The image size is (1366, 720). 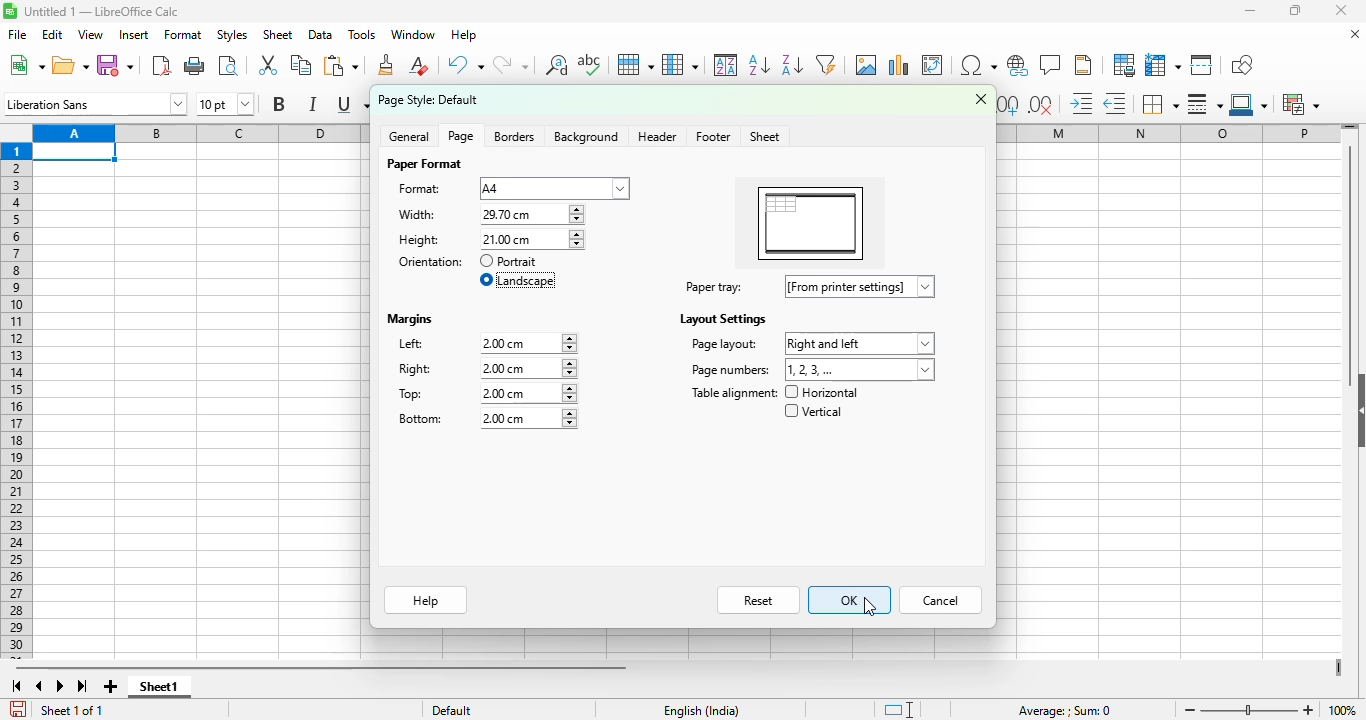 I want to click on general, so click(x=410, y=136).